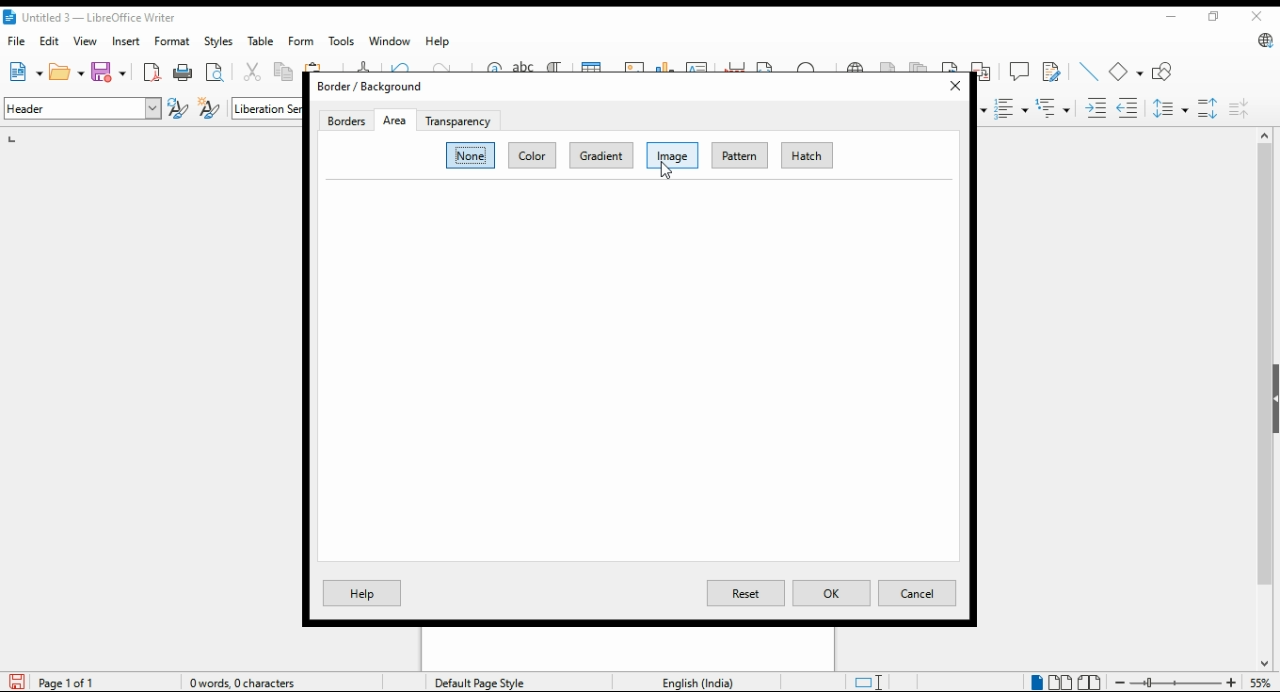  I want to click on decrease indent, so click(1129, 107).